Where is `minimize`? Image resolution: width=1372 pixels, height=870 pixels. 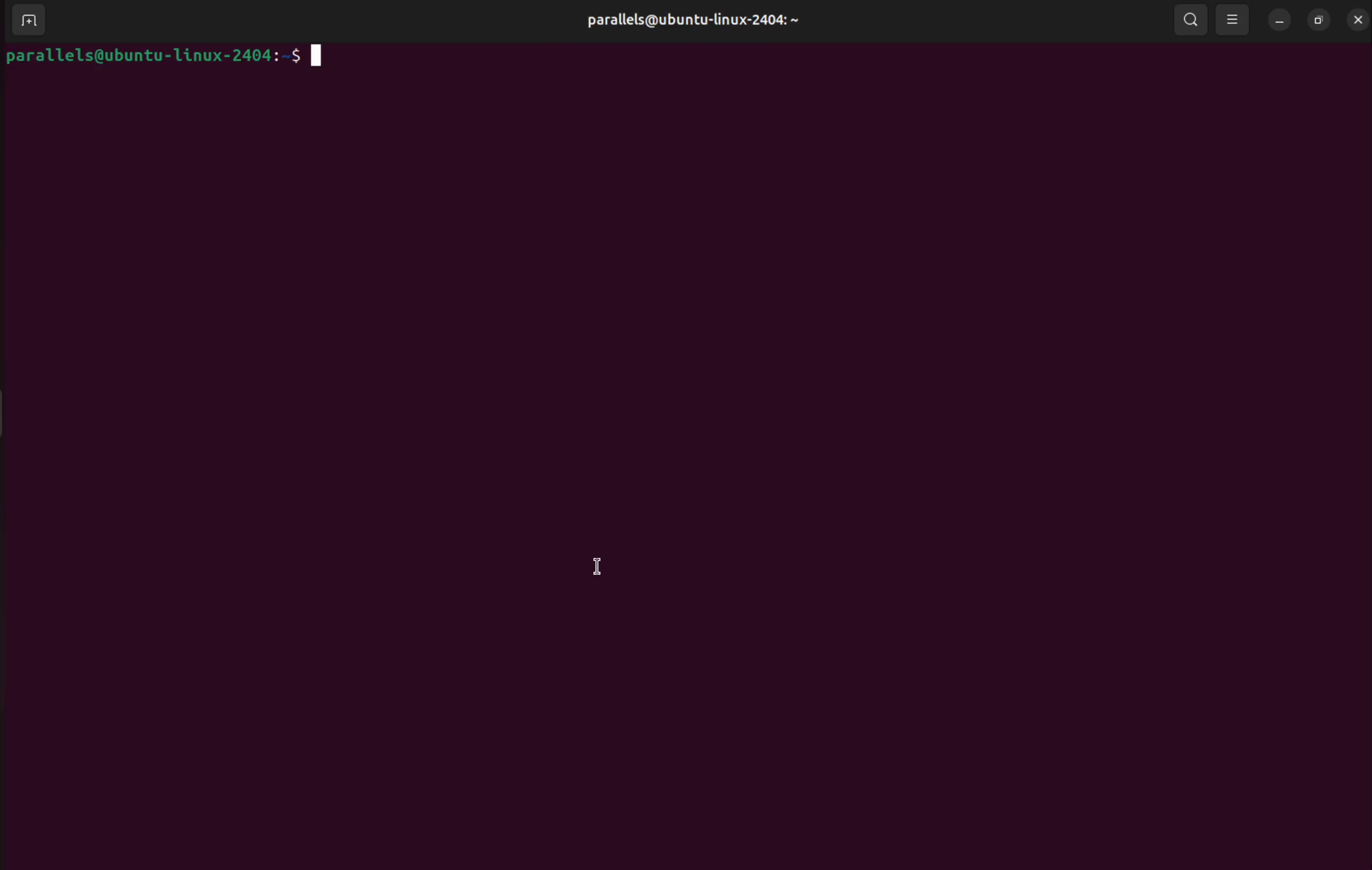
minimize is located at coordinates (1277, 19).